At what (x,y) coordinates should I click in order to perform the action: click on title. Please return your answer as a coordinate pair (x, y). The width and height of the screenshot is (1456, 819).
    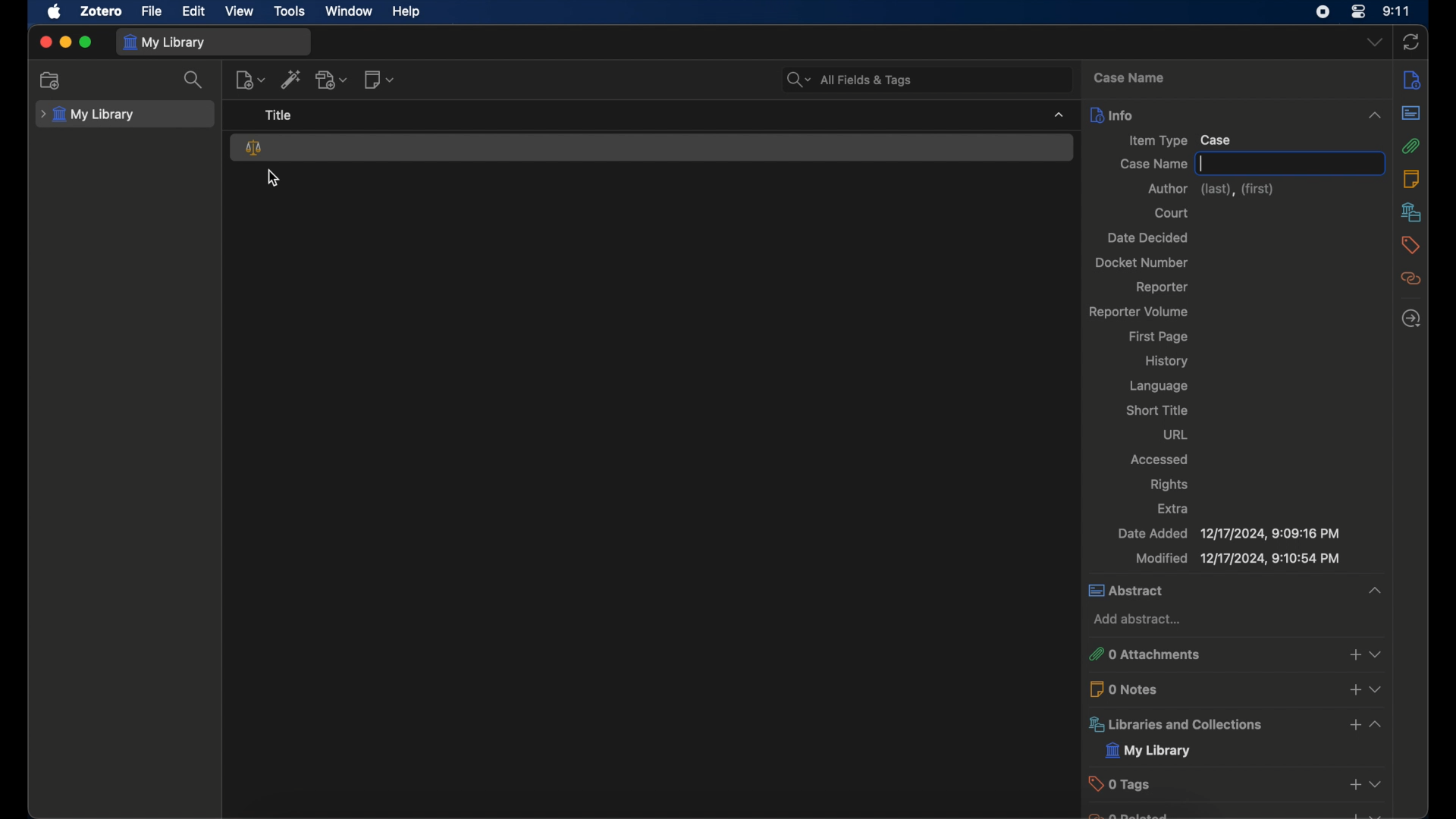
    Looking at the image, I should click on (278, 115).